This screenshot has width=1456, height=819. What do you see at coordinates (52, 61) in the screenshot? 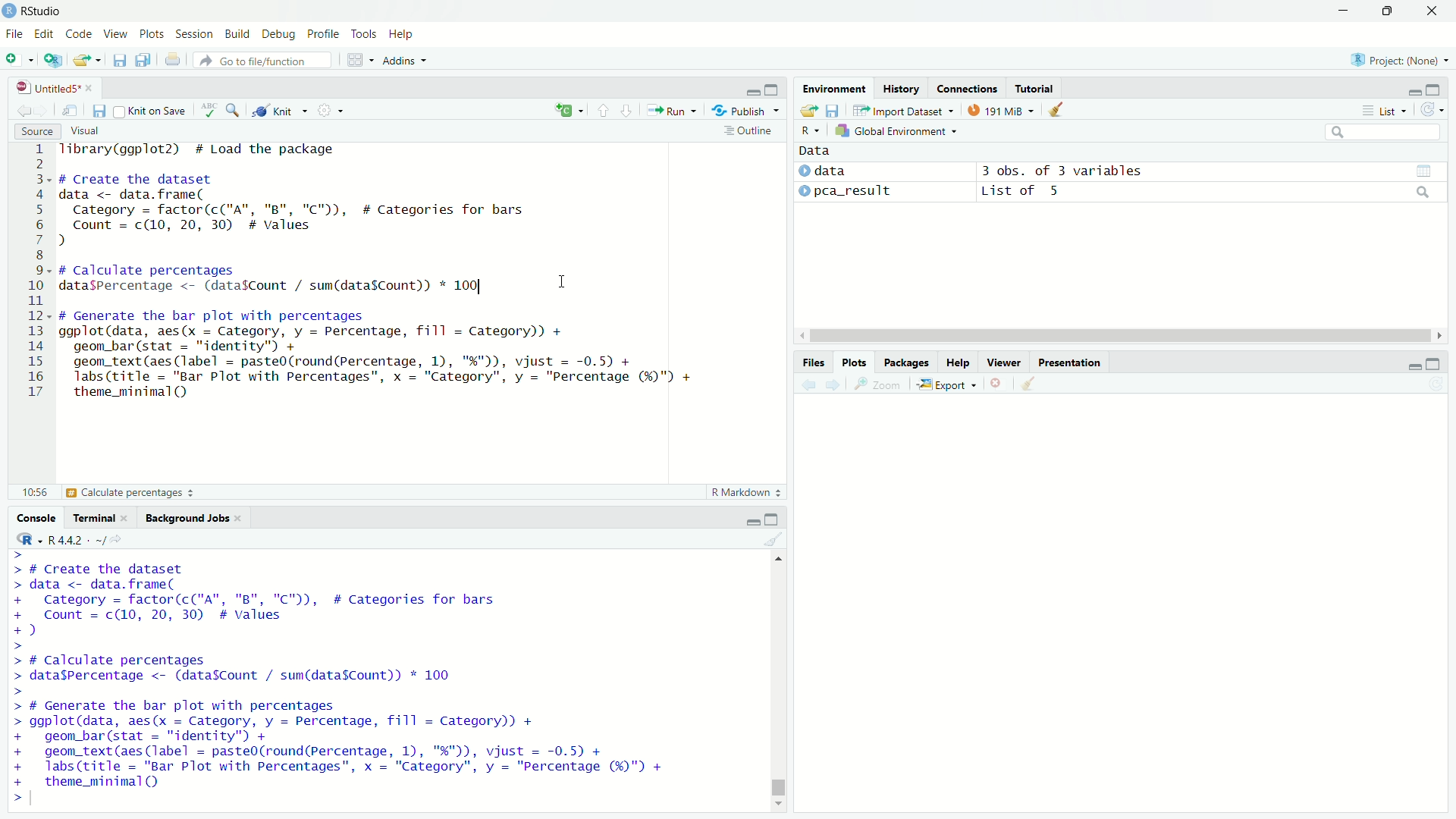
I see `new project` at bounding box center [52, 61].